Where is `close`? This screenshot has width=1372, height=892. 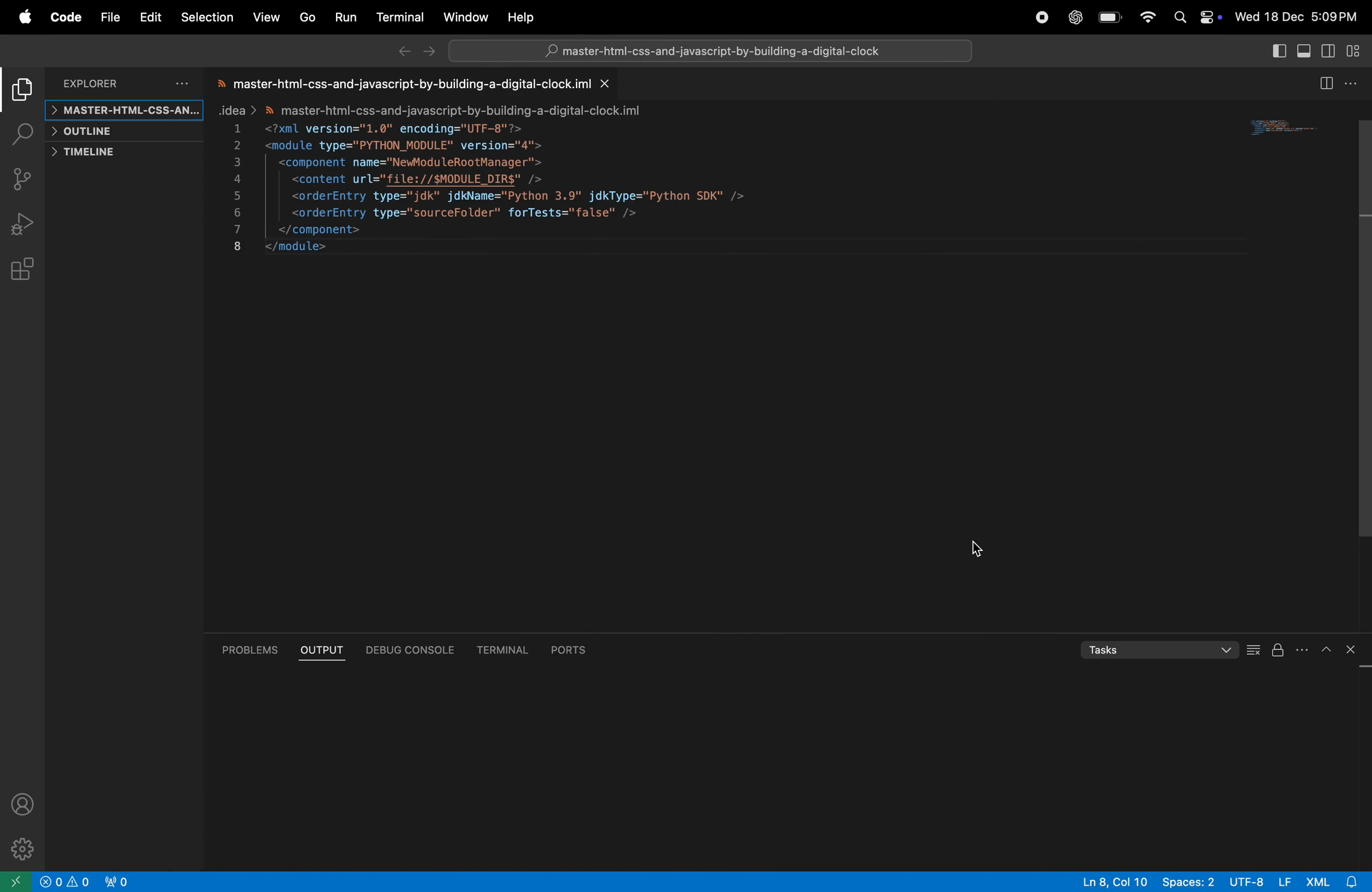 close is located at coordinates (1356, 649).